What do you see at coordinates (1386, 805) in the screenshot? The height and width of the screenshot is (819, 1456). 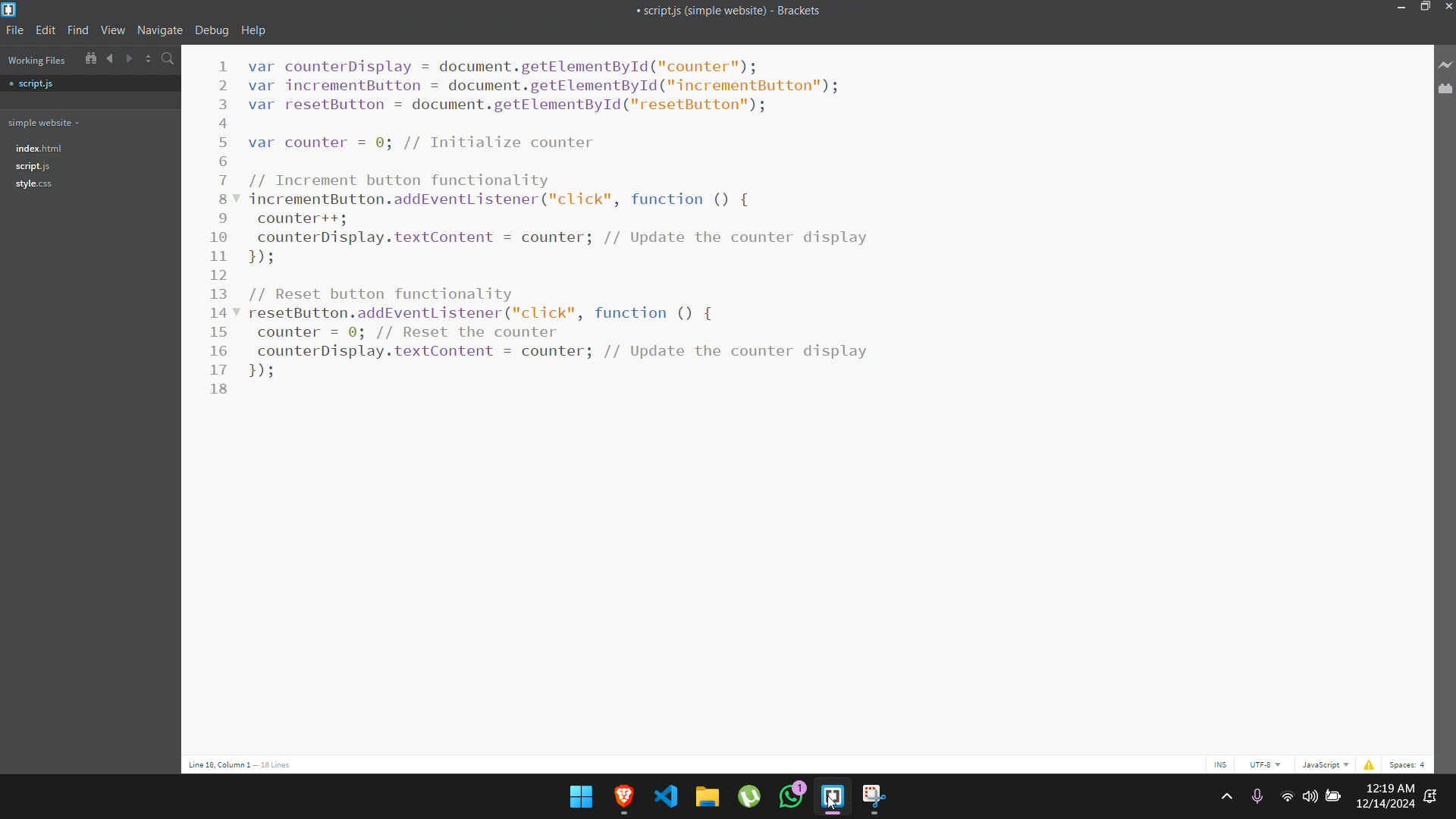 I see `12/14/2024` at bounding box center [1386, 805].